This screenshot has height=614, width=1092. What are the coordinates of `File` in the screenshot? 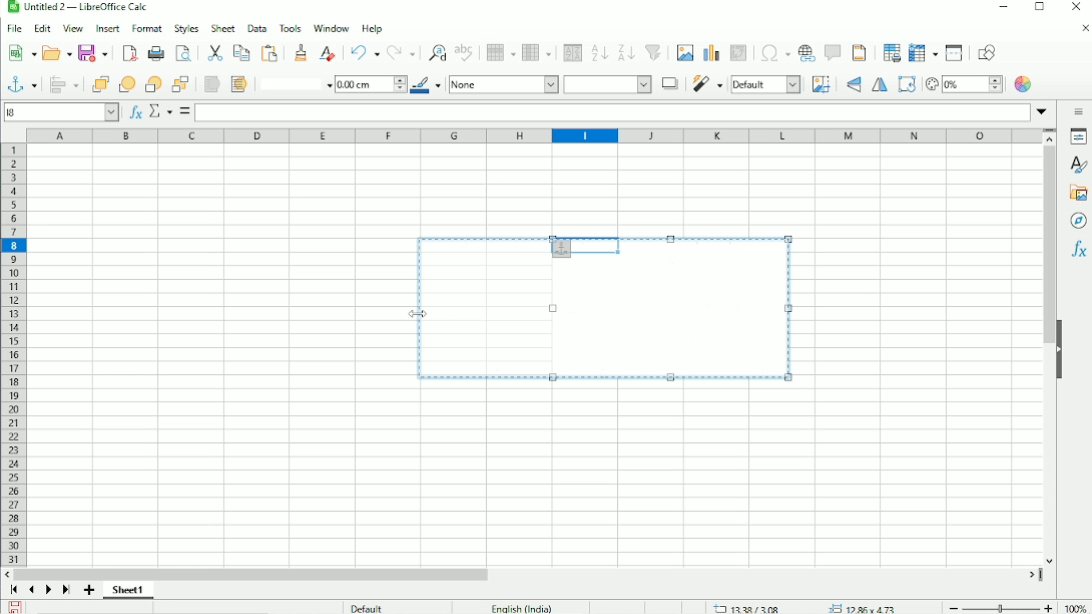 It's located at (14, 29).